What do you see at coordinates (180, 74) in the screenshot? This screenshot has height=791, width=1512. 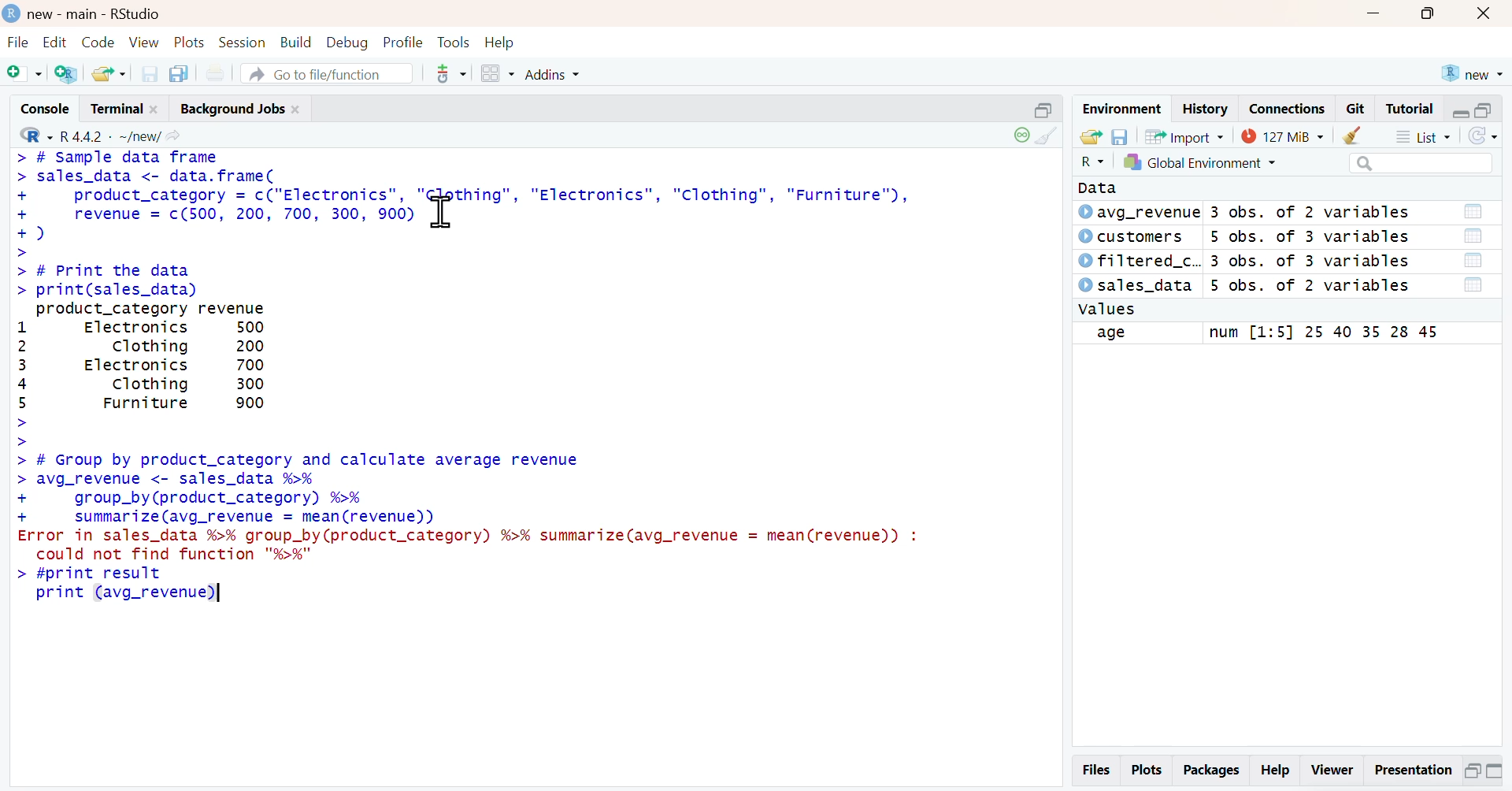 I see `Save all open documents` at bounding box center [180, 74].